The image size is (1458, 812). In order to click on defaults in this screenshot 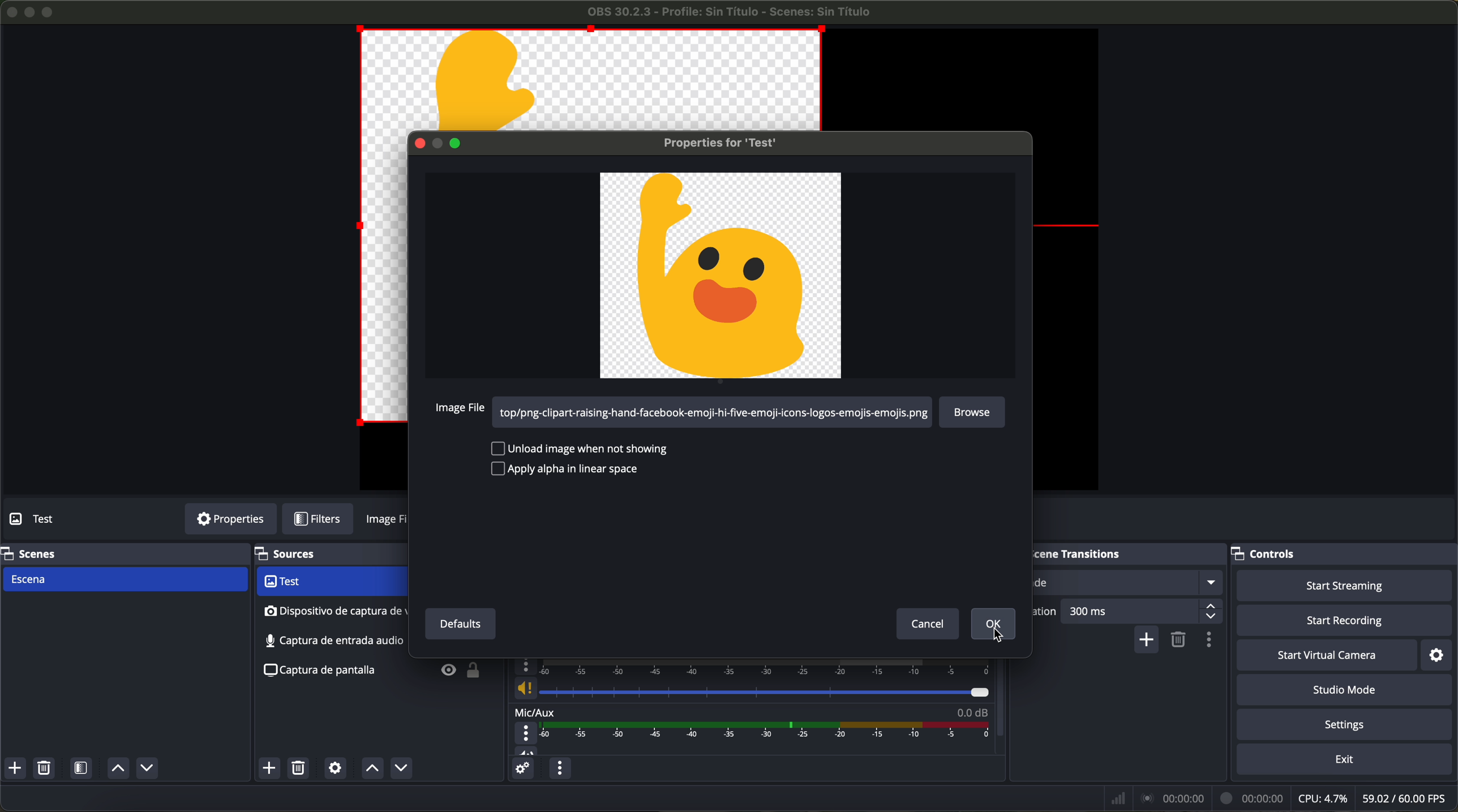, I will do `click(457, 622)`.